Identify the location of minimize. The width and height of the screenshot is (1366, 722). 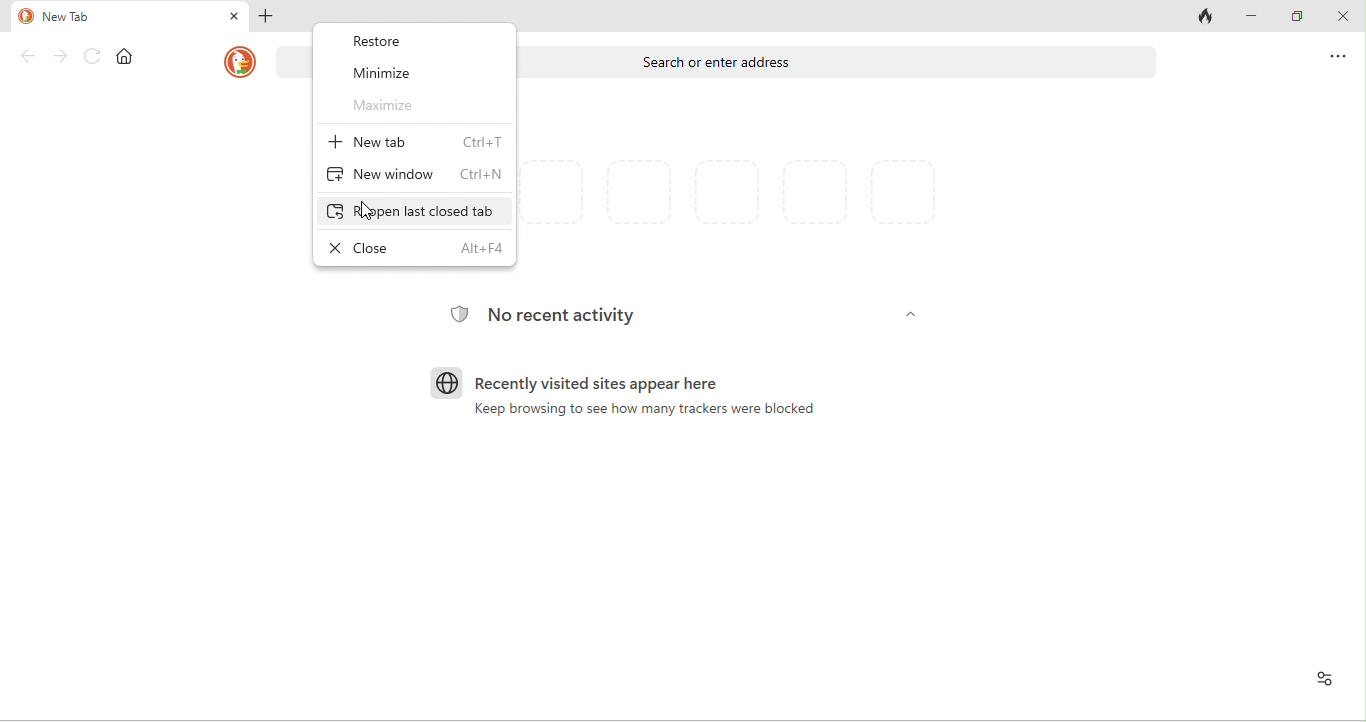
(1252, 16).